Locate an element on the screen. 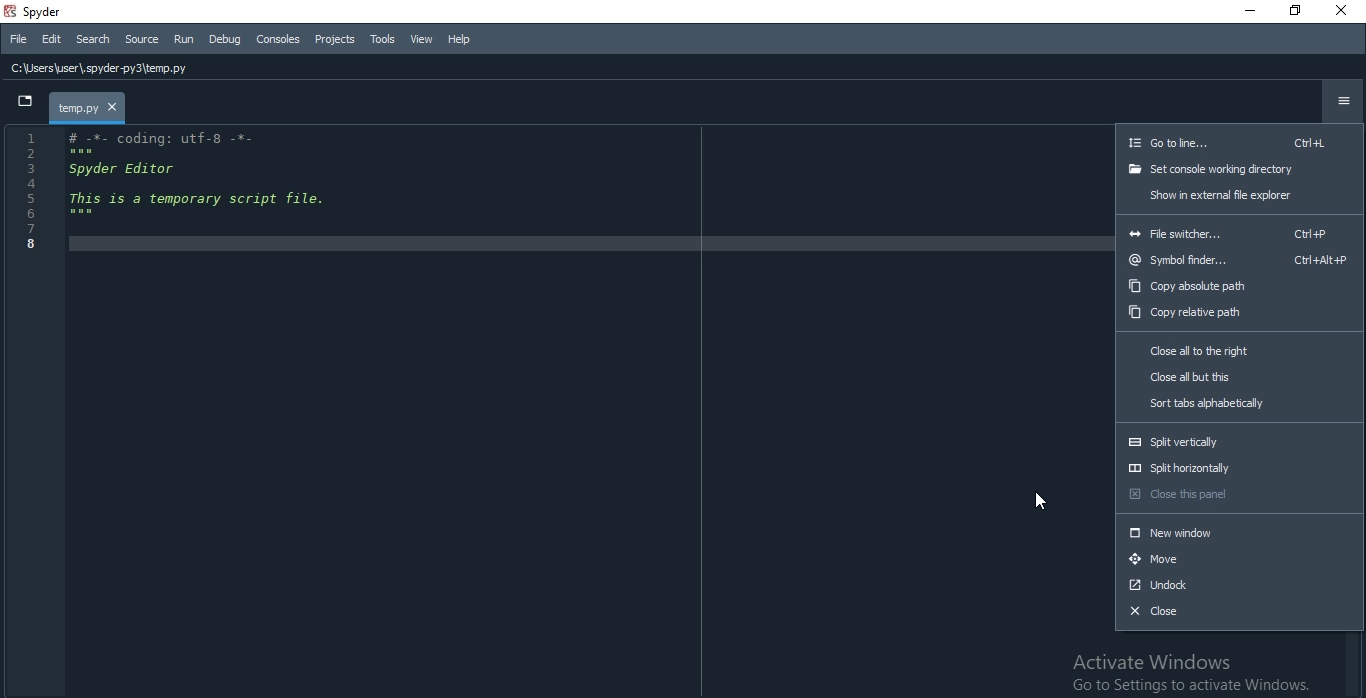 The image size is (1366, 698). copy relative path is located at coordinates (1241, 313).